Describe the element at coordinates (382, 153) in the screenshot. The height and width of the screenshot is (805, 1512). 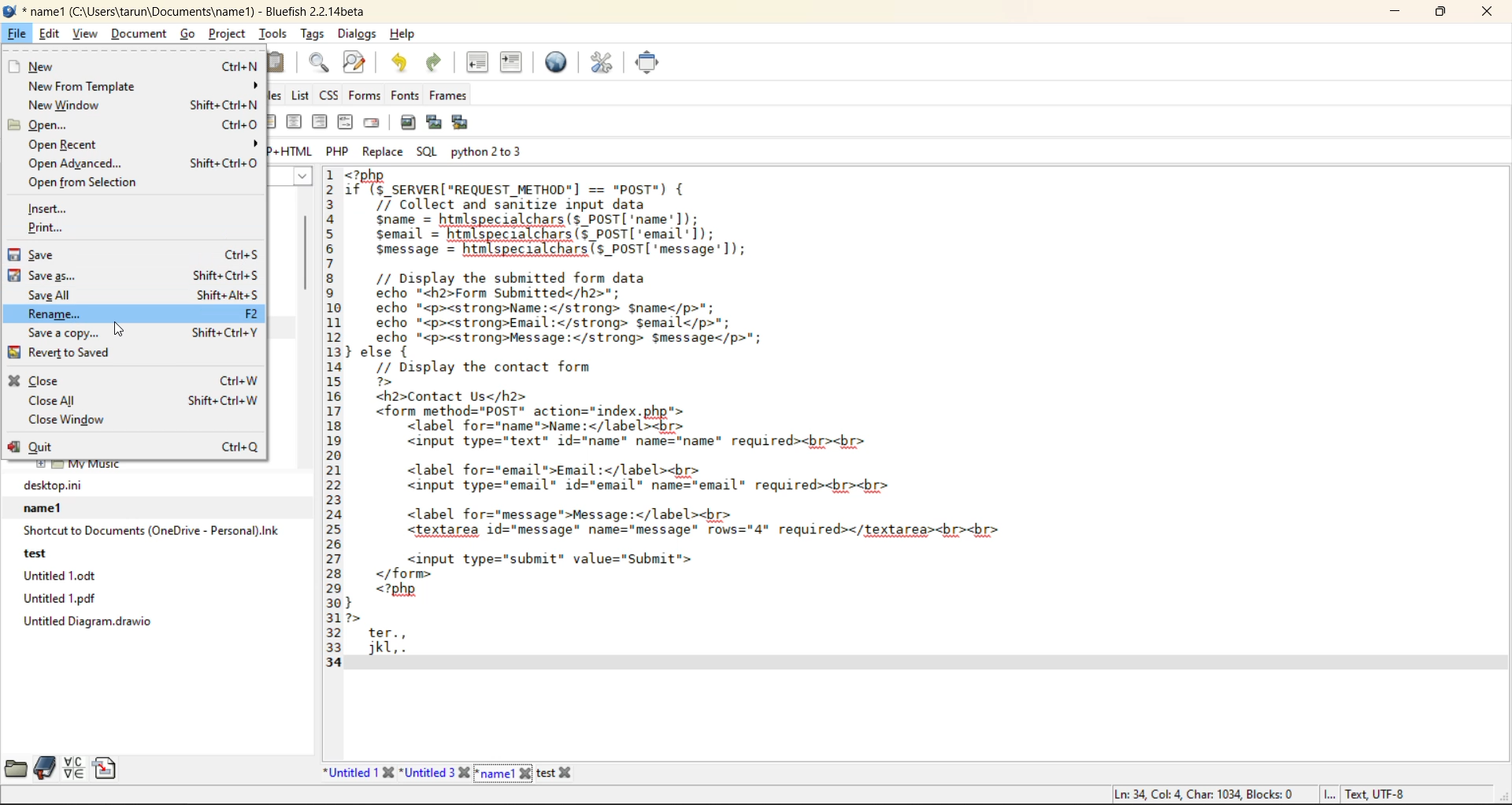
I see `replace` at that location.